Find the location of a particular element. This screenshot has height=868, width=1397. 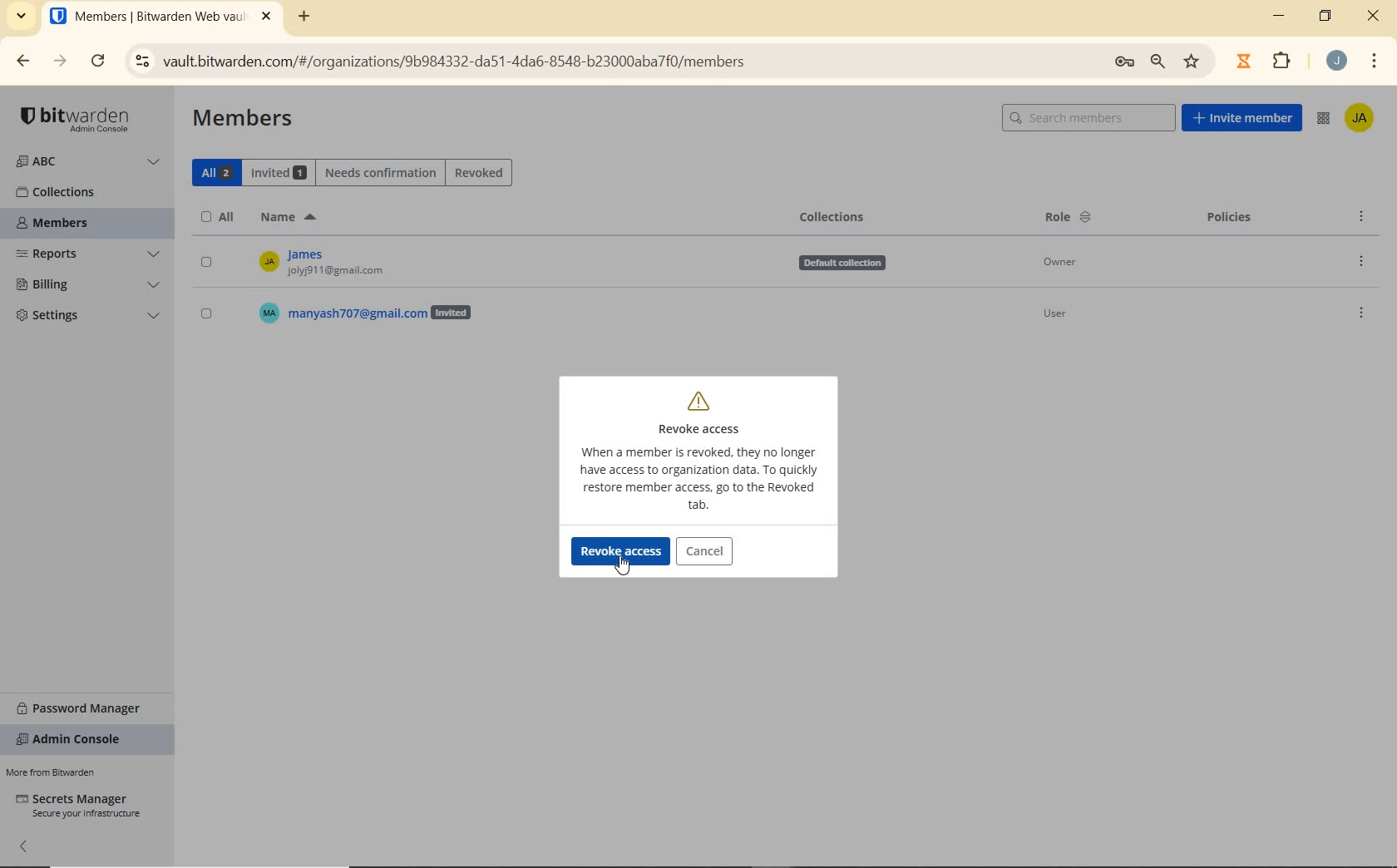

COLLECTIONS is located at coordinates (72, 192).